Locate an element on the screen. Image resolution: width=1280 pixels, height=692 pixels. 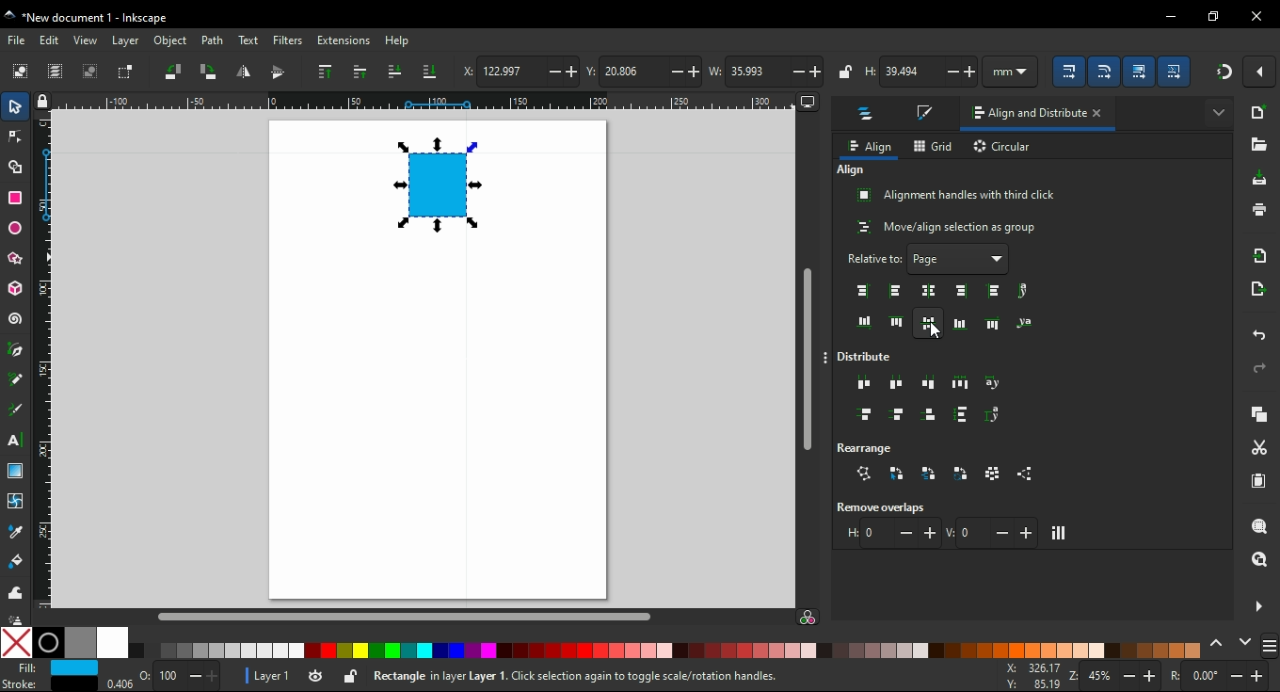
distribute horizontally with even spacing between centers is located at coordinates (897, 383).